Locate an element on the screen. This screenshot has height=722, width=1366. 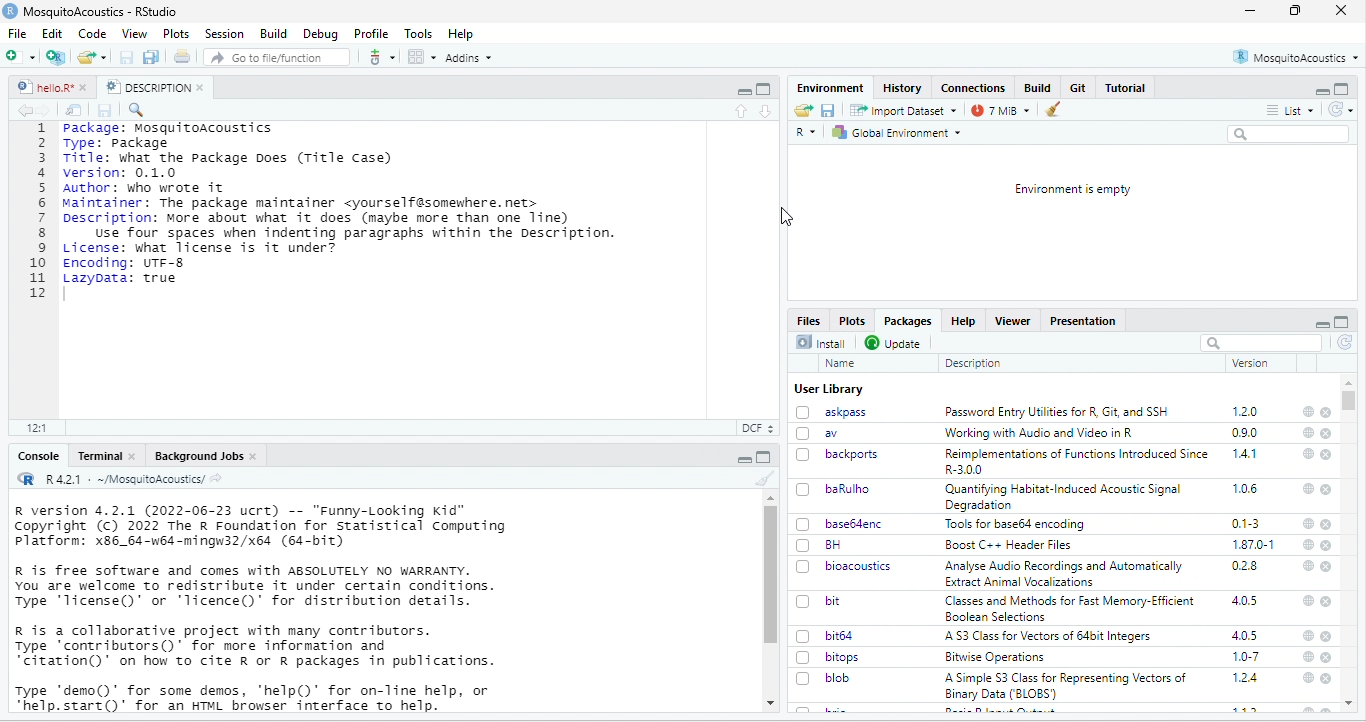
R is free software and comes with ABSOLUTELY NO WARRANTY.
You are welcome to redistribute it under certain conditions.
Type 'license()' or 'licence()' for distribution details. is located at coordinates (260, 586).